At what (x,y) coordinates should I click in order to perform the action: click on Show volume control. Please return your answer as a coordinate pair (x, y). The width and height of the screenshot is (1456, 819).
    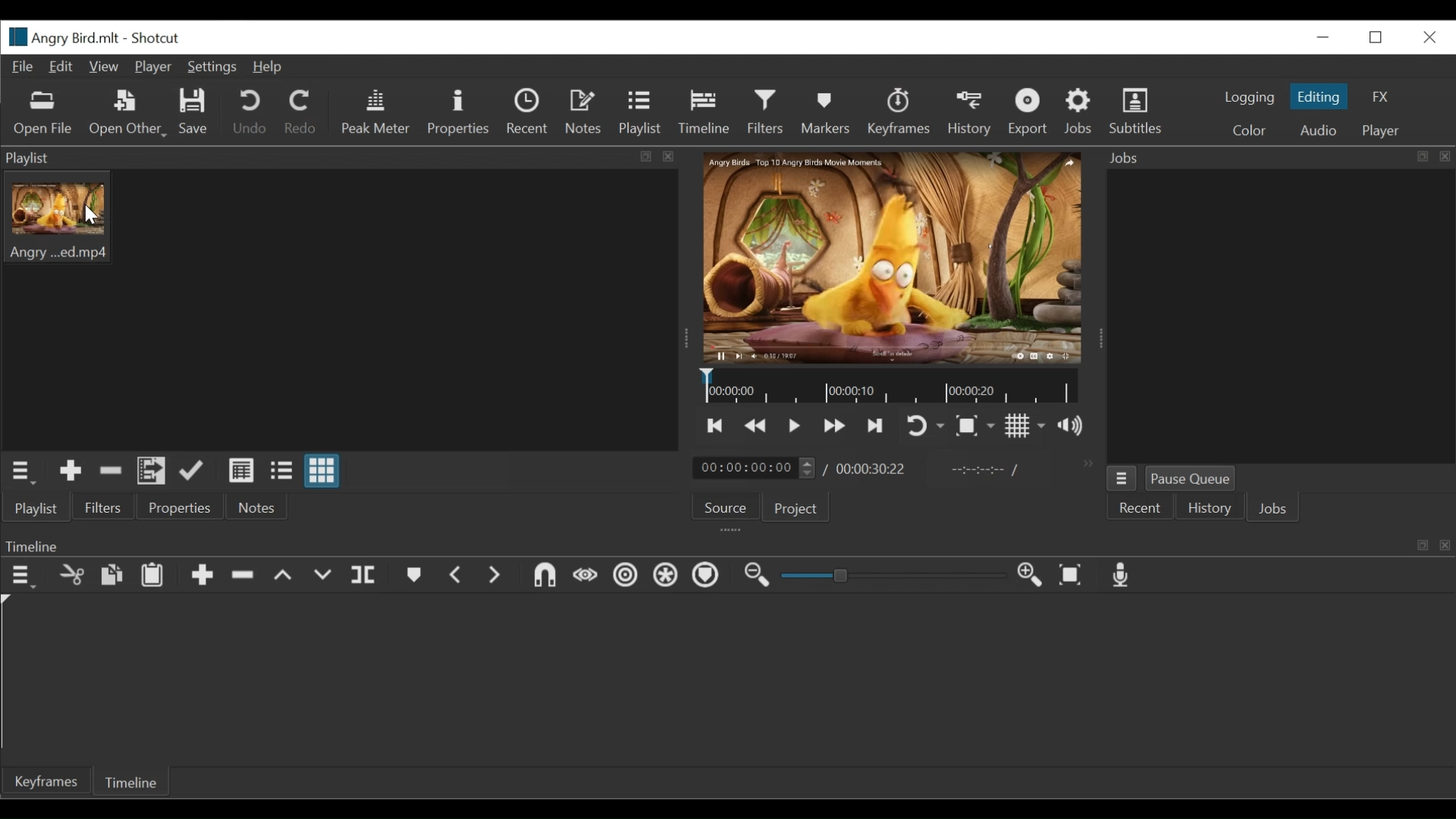
    Looking at the image, I should click on (1070, 425).